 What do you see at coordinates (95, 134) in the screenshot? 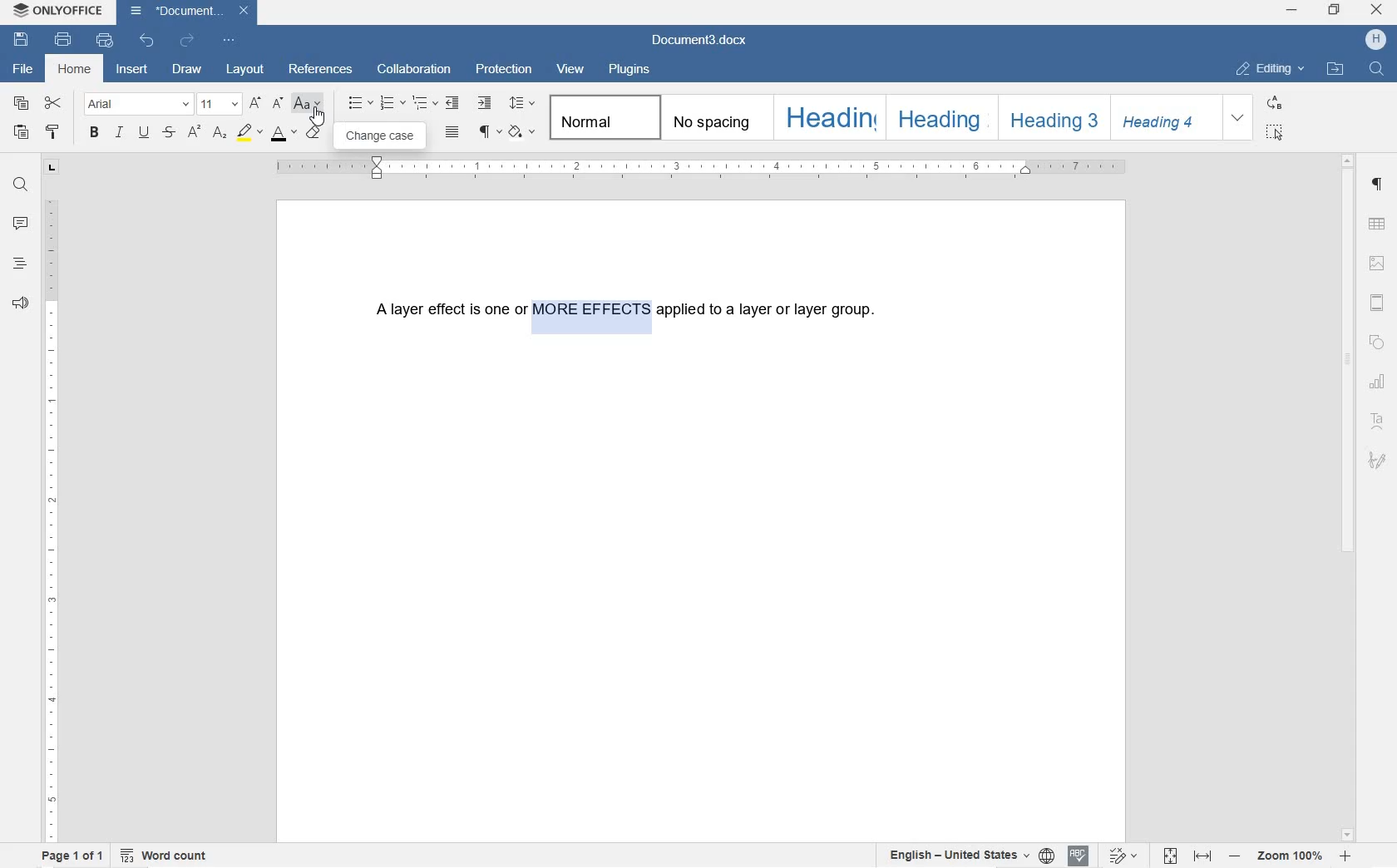
I see `BOLD` at bounding box center [95, 134].